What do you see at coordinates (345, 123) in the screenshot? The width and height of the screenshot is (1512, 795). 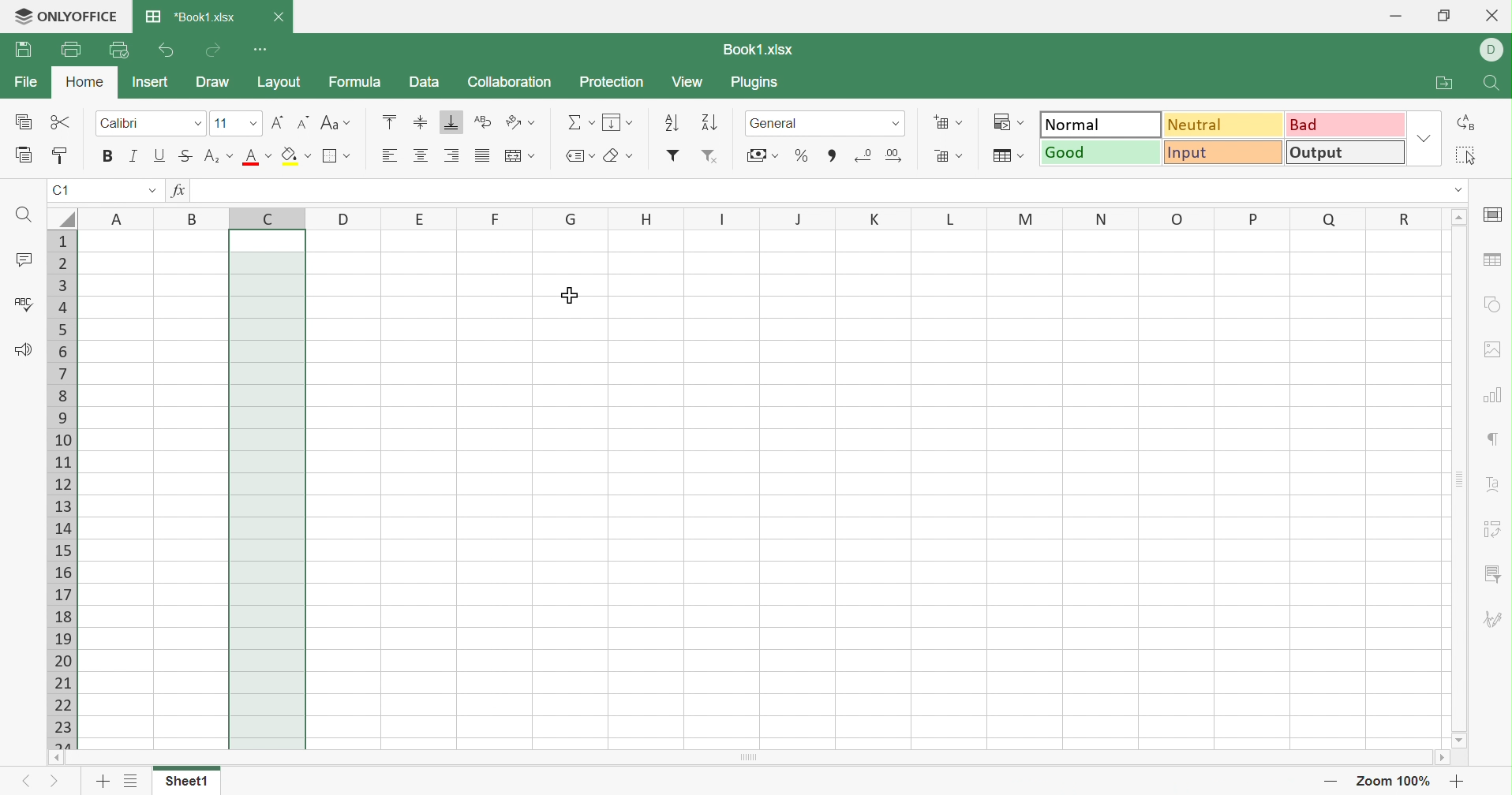 I see `Drop Down` at bounding box center [345, 123].